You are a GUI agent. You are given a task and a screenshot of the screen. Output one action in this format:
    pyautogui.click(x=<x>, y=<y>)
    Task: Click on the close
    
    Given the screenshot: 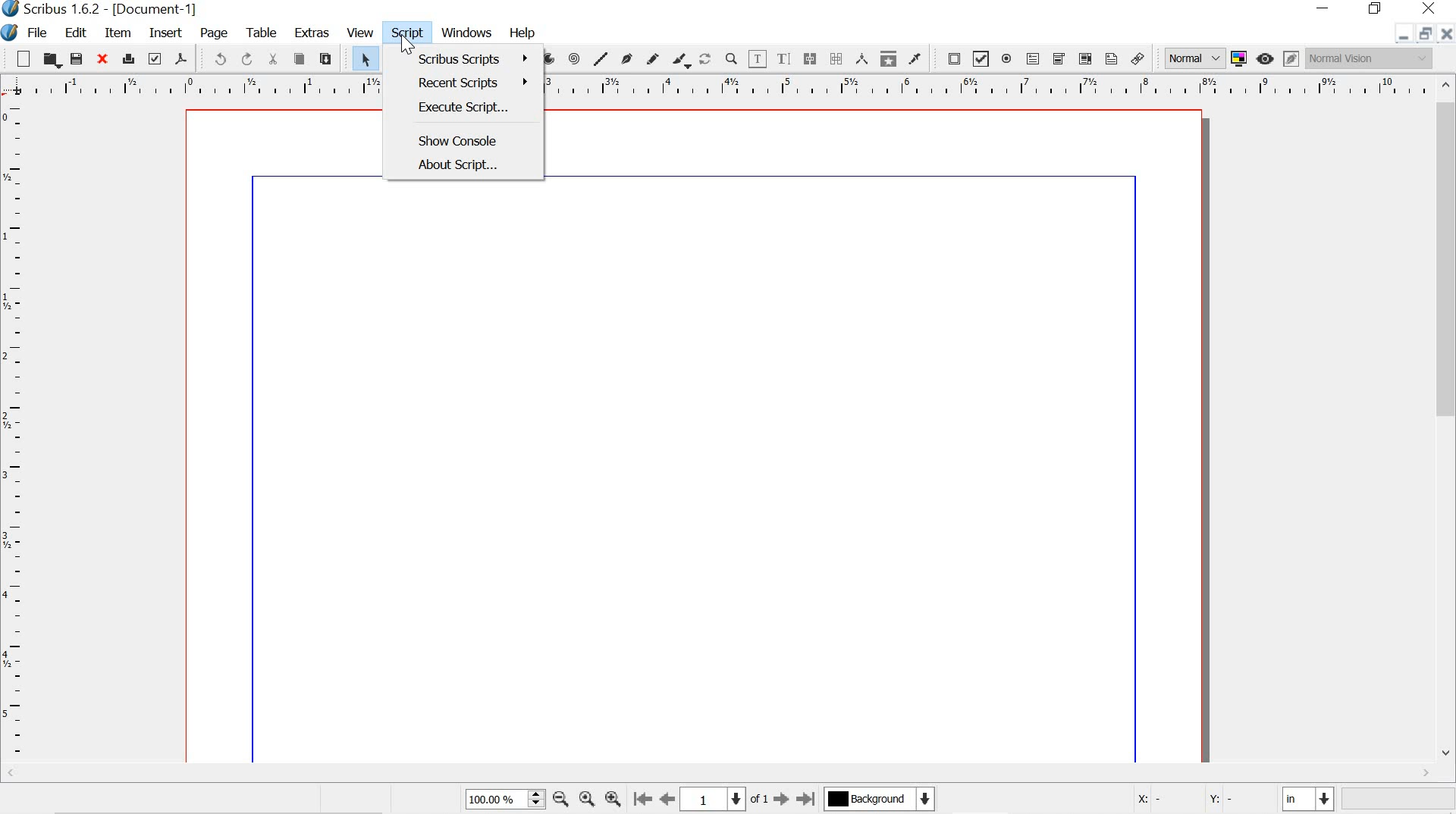 What is the action you would take?
    pyautogui.click(x=1426, y=8)
    